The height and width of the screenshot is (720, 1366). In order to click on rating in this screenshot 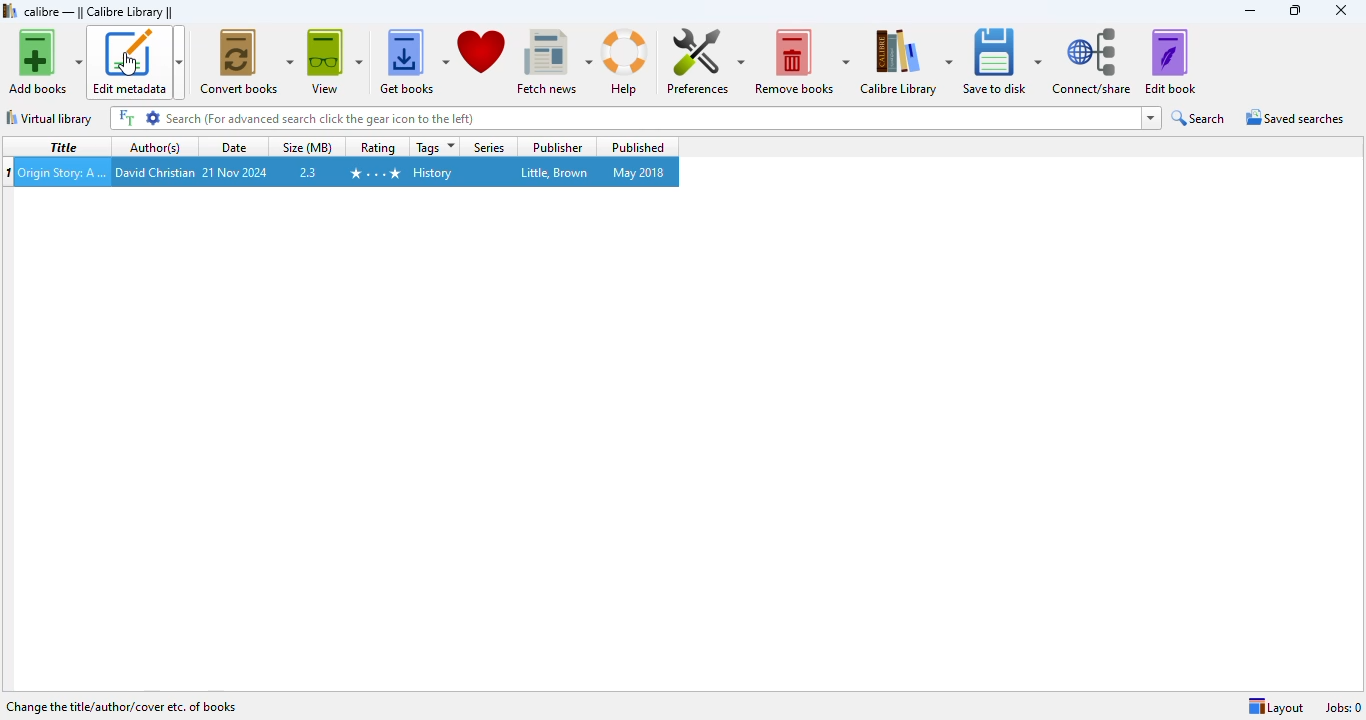, I will do `click(377, 148)`.